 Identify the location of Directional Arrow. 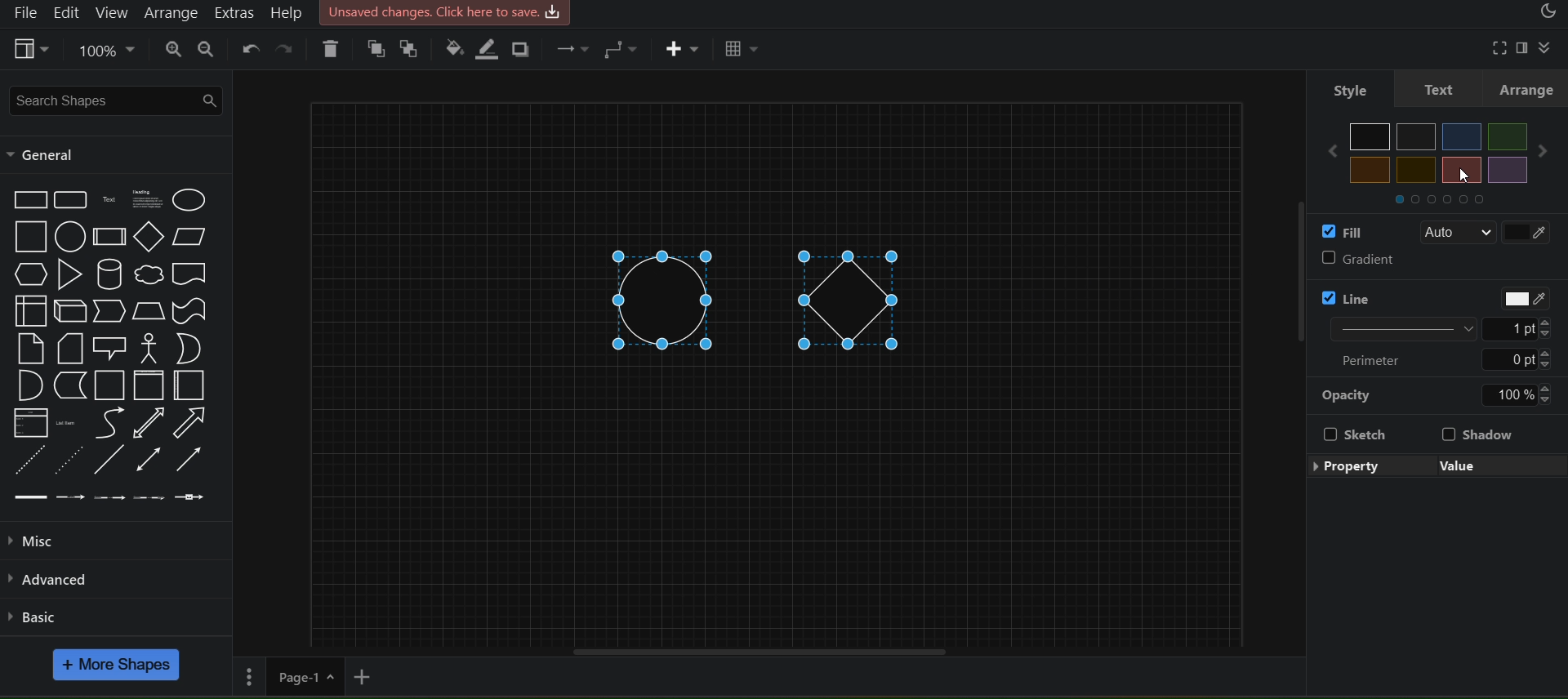
(189, 458).